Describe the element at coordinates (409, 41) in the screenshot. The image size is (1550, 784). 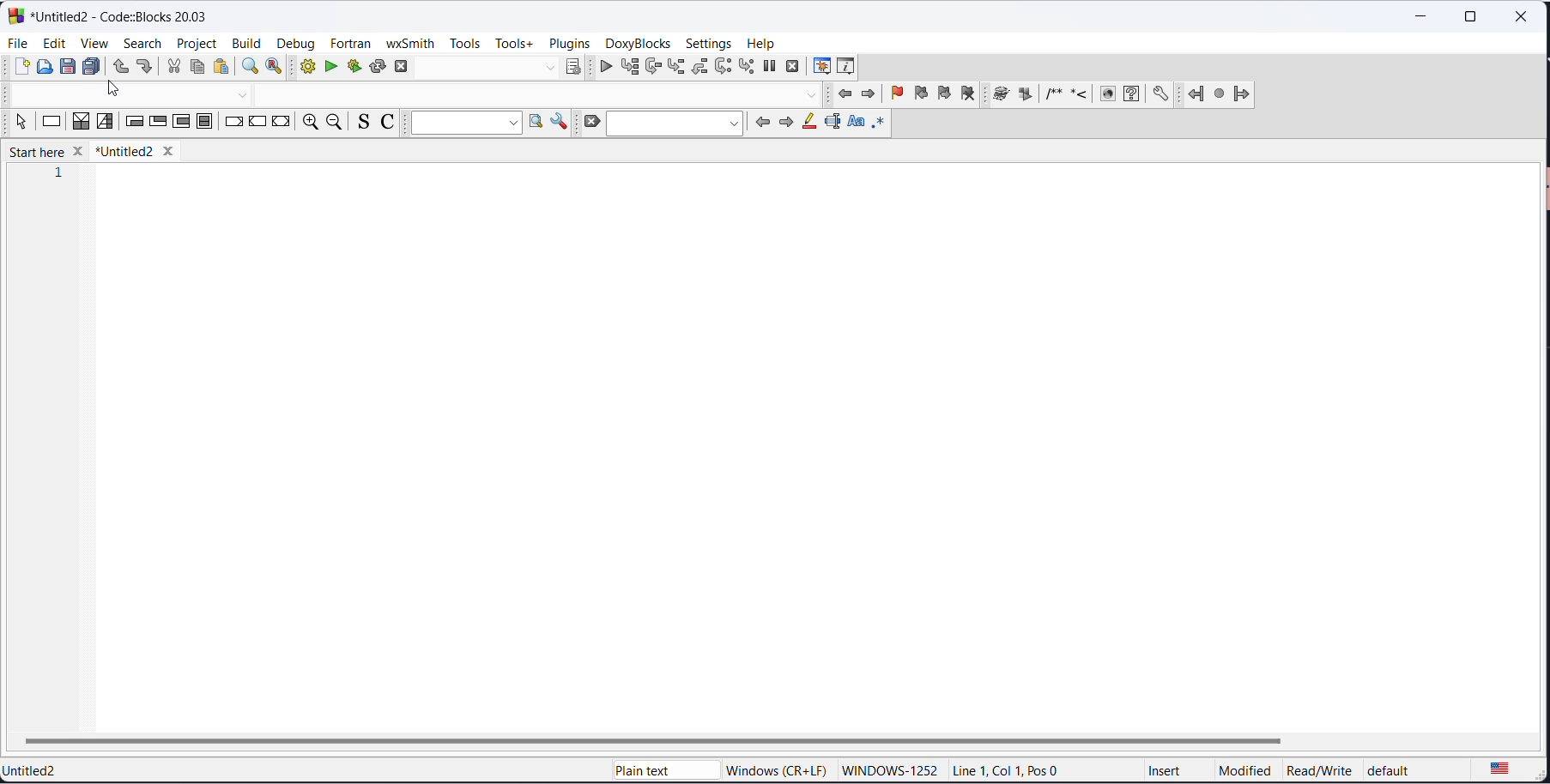
I see `WxSmith` at that location.